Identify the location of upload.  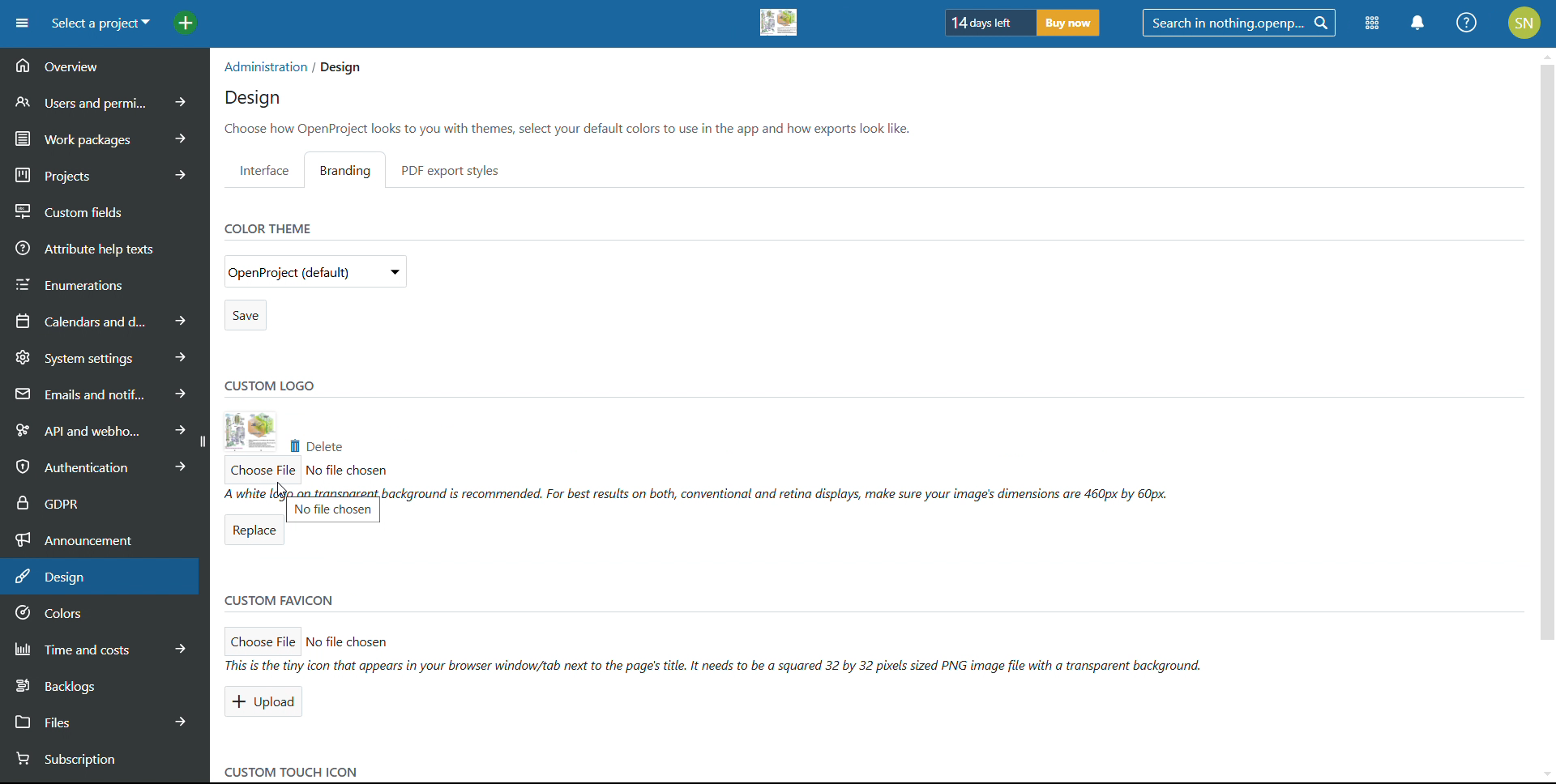
(266, 702).